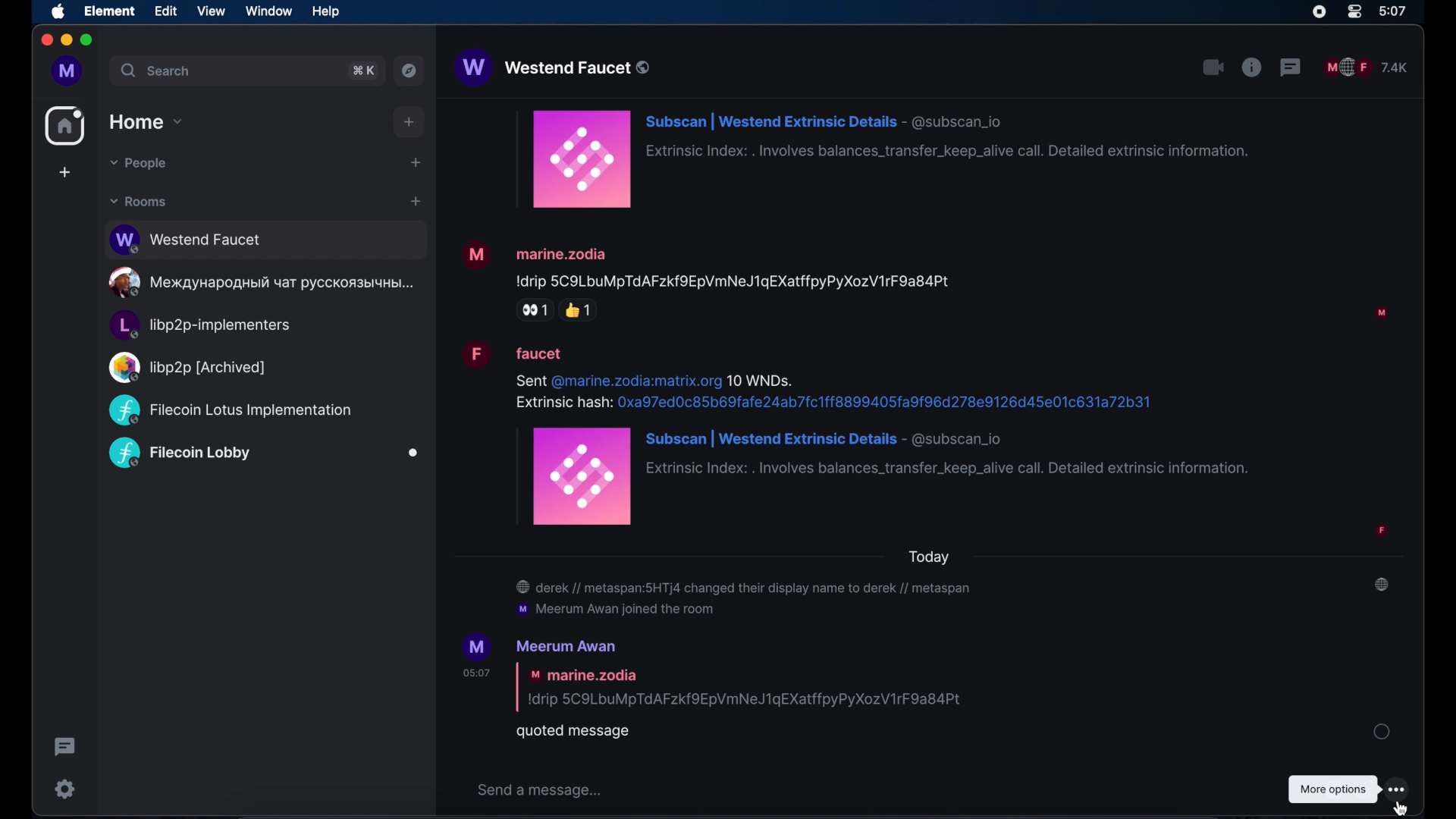  What do you see at coordinates (553, 69) in the screenshot?
I see `westend faucet public room name` at bounding box center [553, 69].